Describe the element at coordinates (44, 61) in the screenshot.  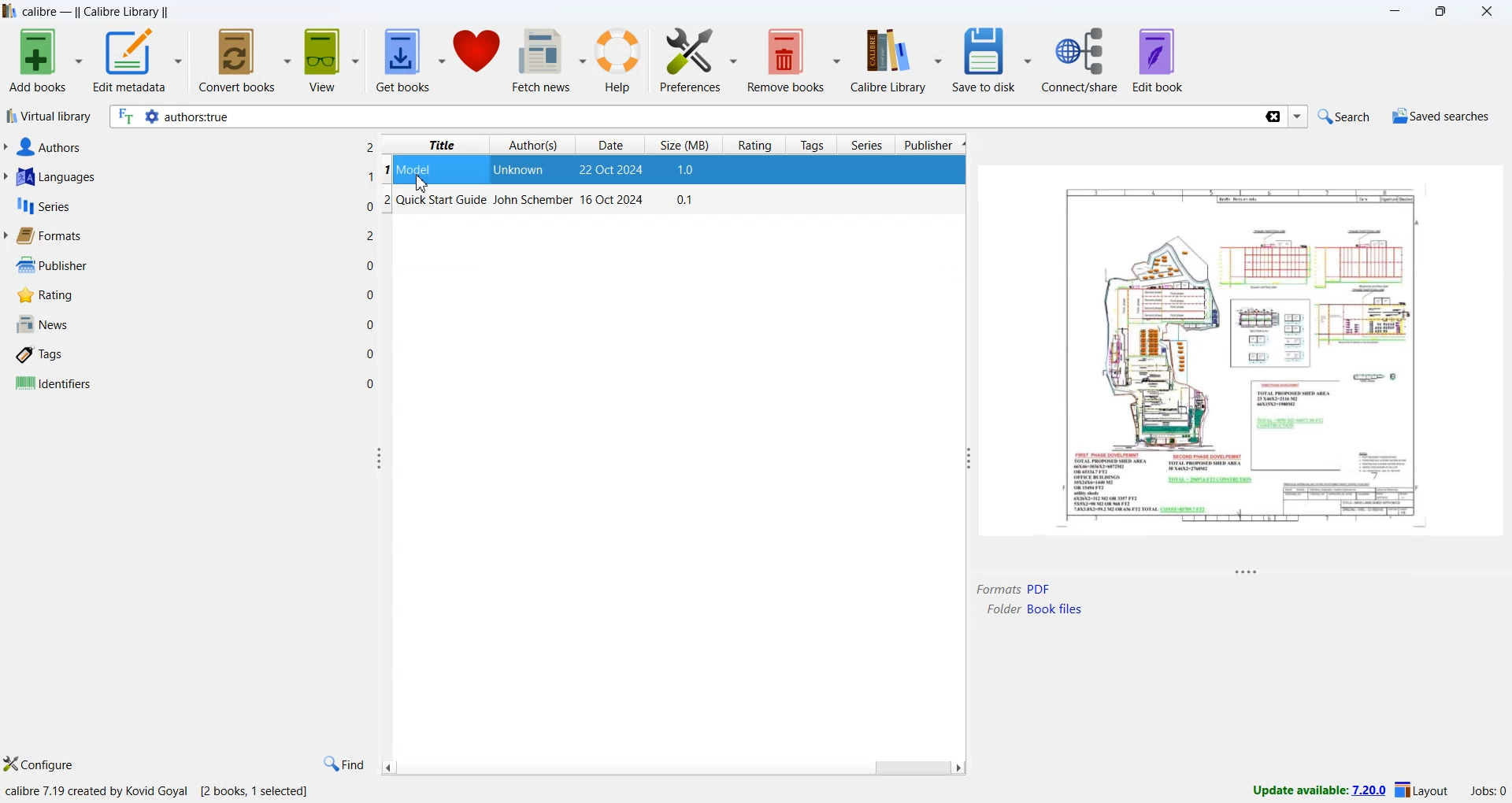
I see `add books` at that location.